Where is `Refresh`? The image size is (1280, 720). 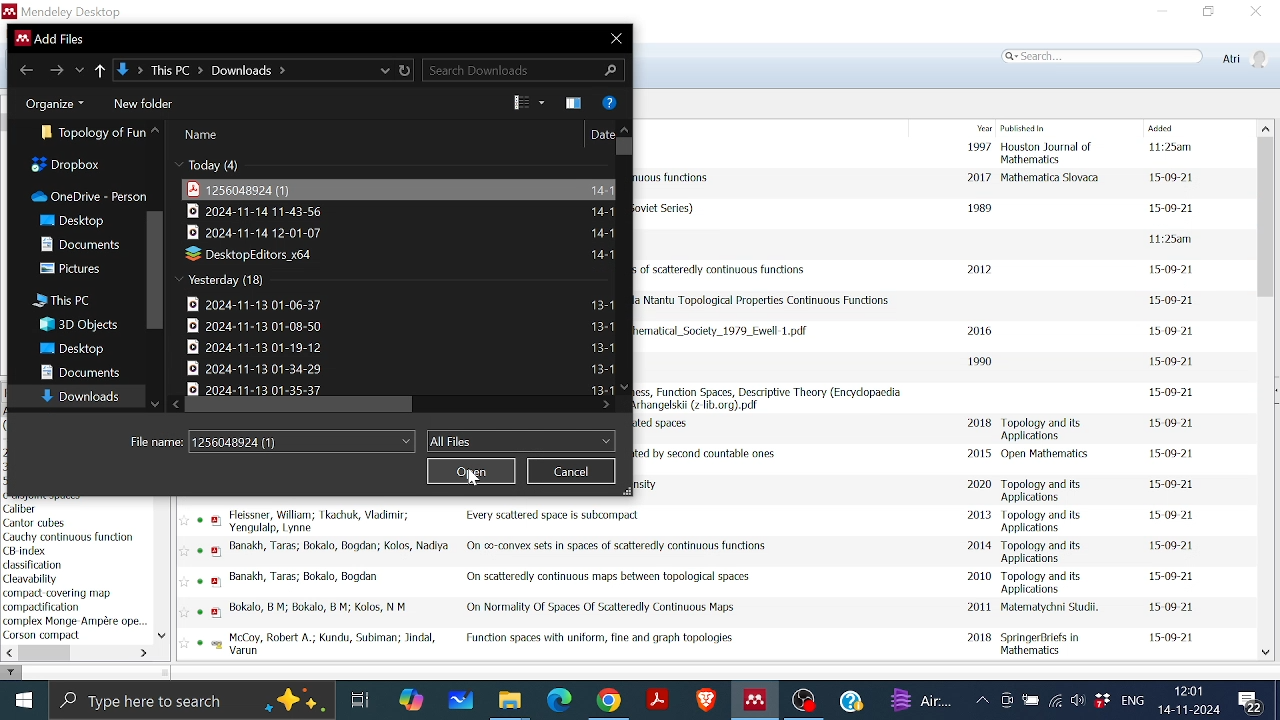
Refresh is located at coordinates (404, 69).